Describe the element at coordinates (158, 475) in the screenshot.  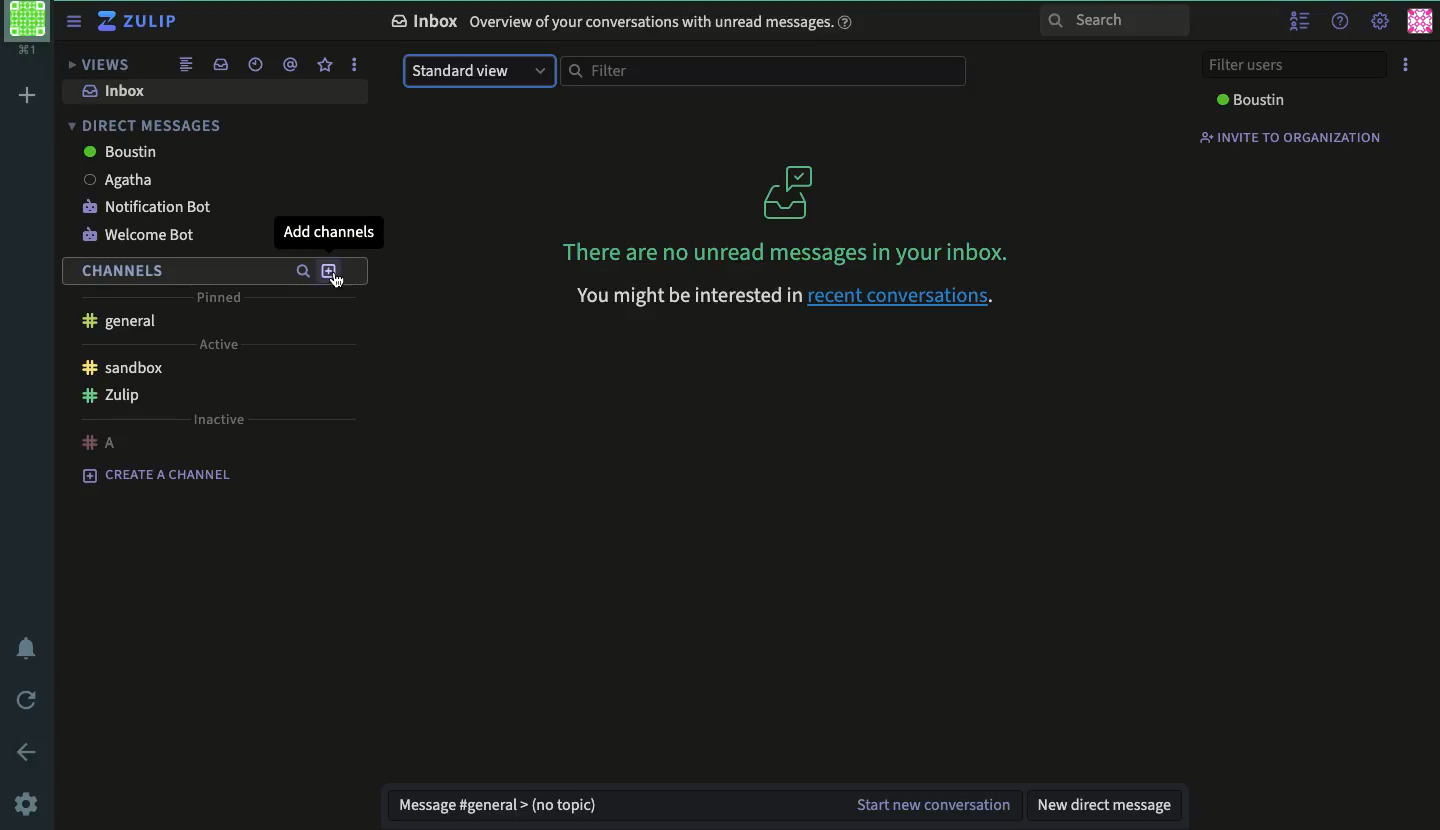
I see `create a channel` at that location.